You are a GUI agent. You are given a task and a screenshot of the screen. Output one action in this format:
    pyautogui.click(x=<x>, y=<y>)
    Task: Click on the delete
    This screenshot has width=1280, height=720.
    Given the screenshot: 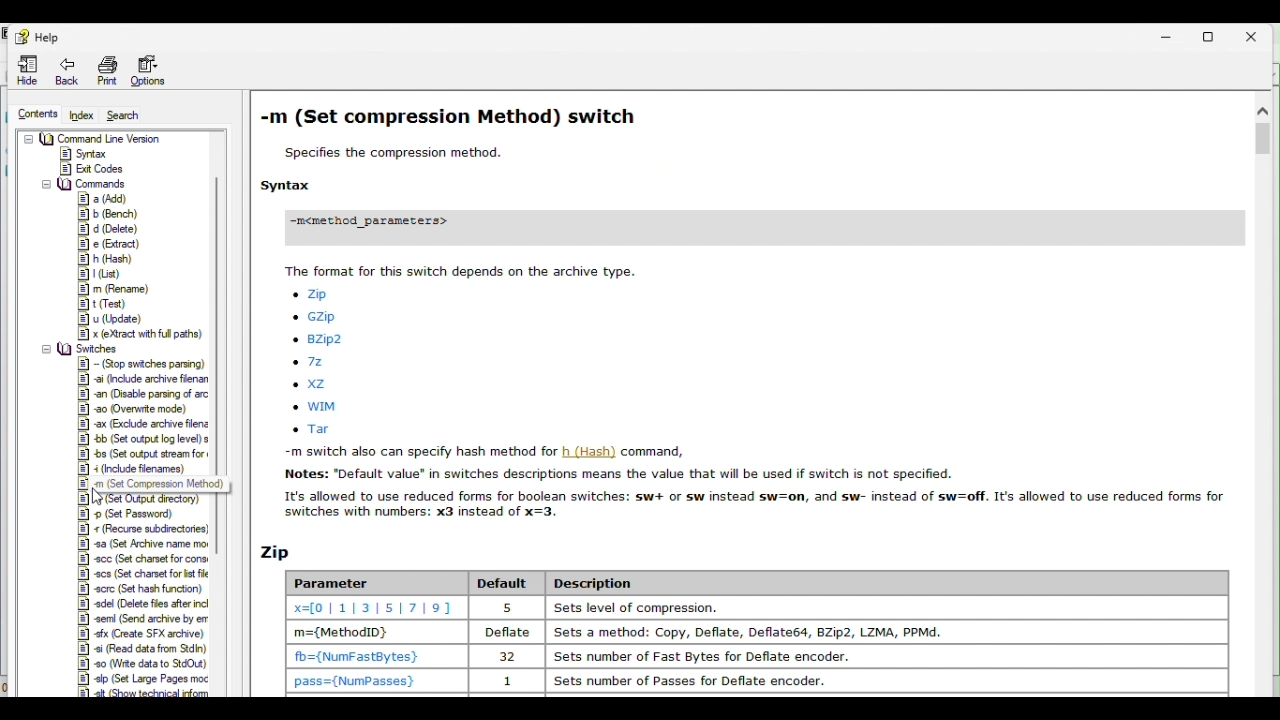 What is the action you would take?
    pyautogui.click(x=108, y=228)
    